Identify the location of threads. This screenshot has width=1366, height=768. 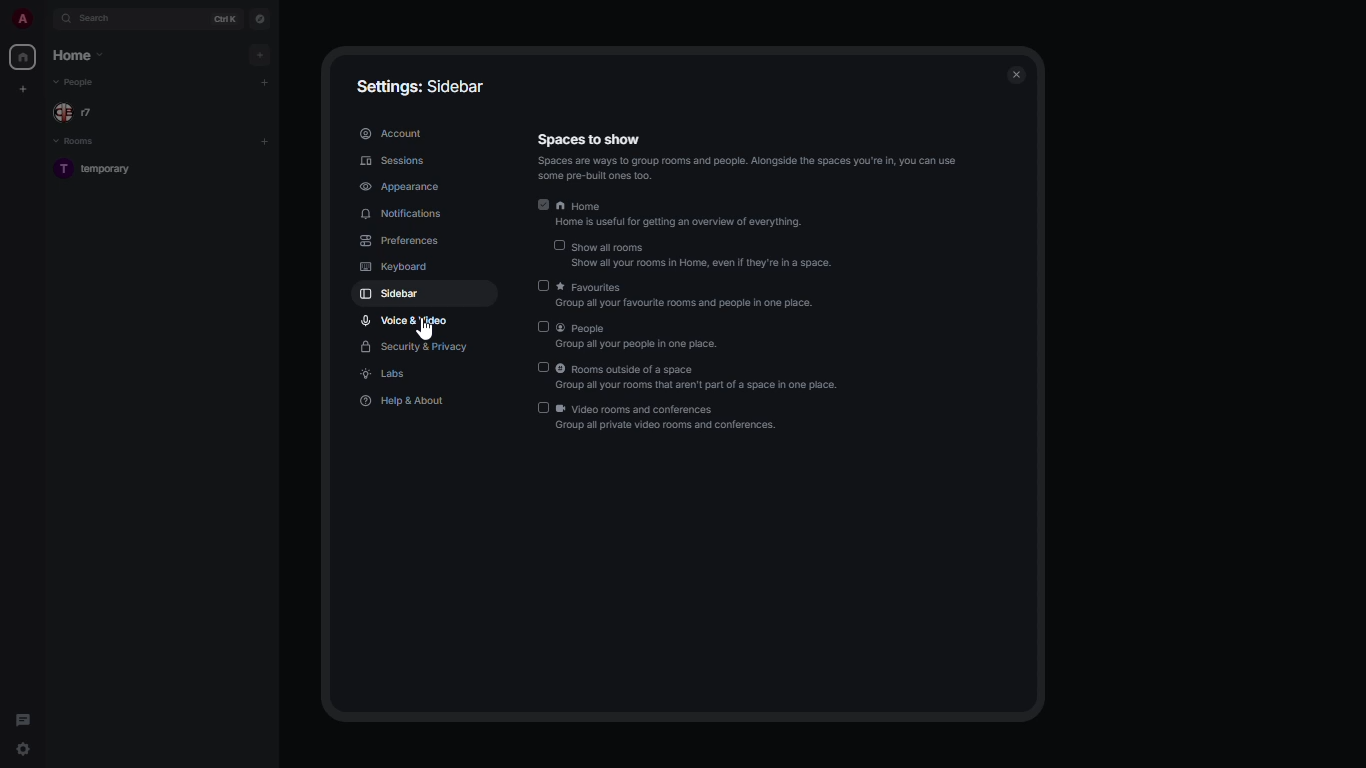
(22, 716).